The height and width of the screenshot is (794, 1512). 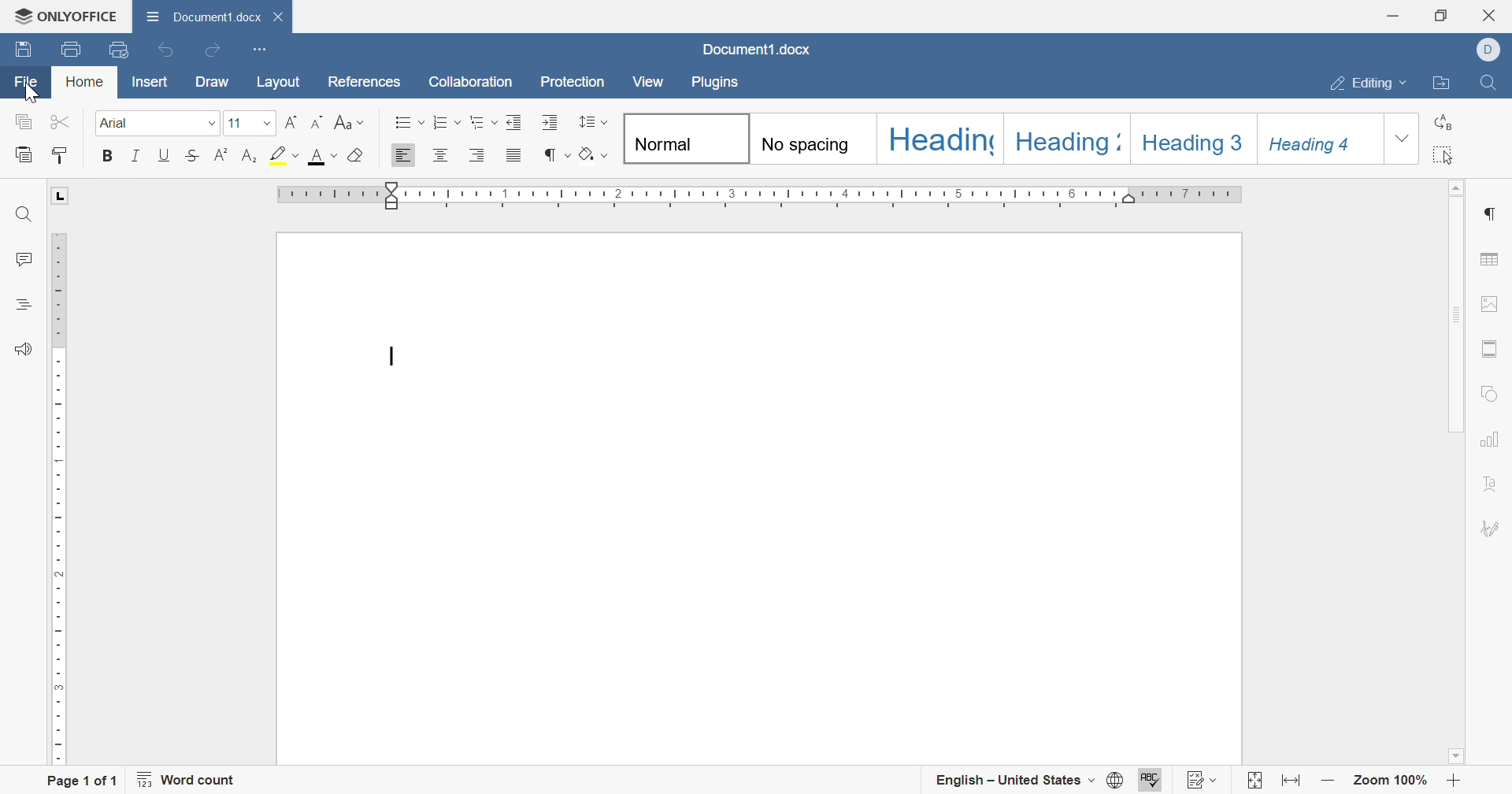 What do you see at coordinates (224, 157) in the screenshot?
I see `superscript` at bounding box center [224, 157].